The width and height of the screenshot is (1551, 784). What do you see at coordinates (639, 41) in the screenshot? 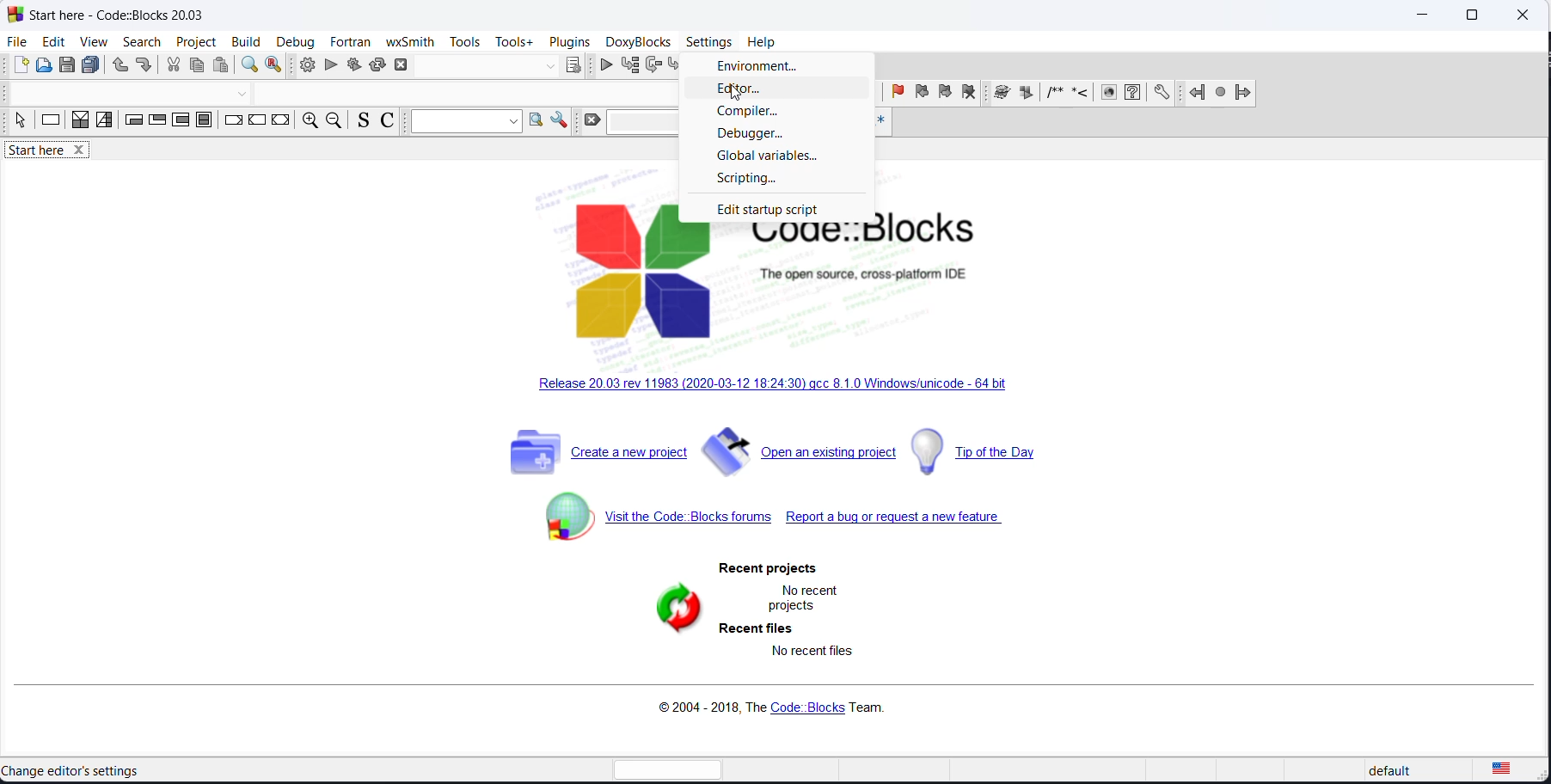
I see `DoxyBlocks` at bounding box center [639, 41].